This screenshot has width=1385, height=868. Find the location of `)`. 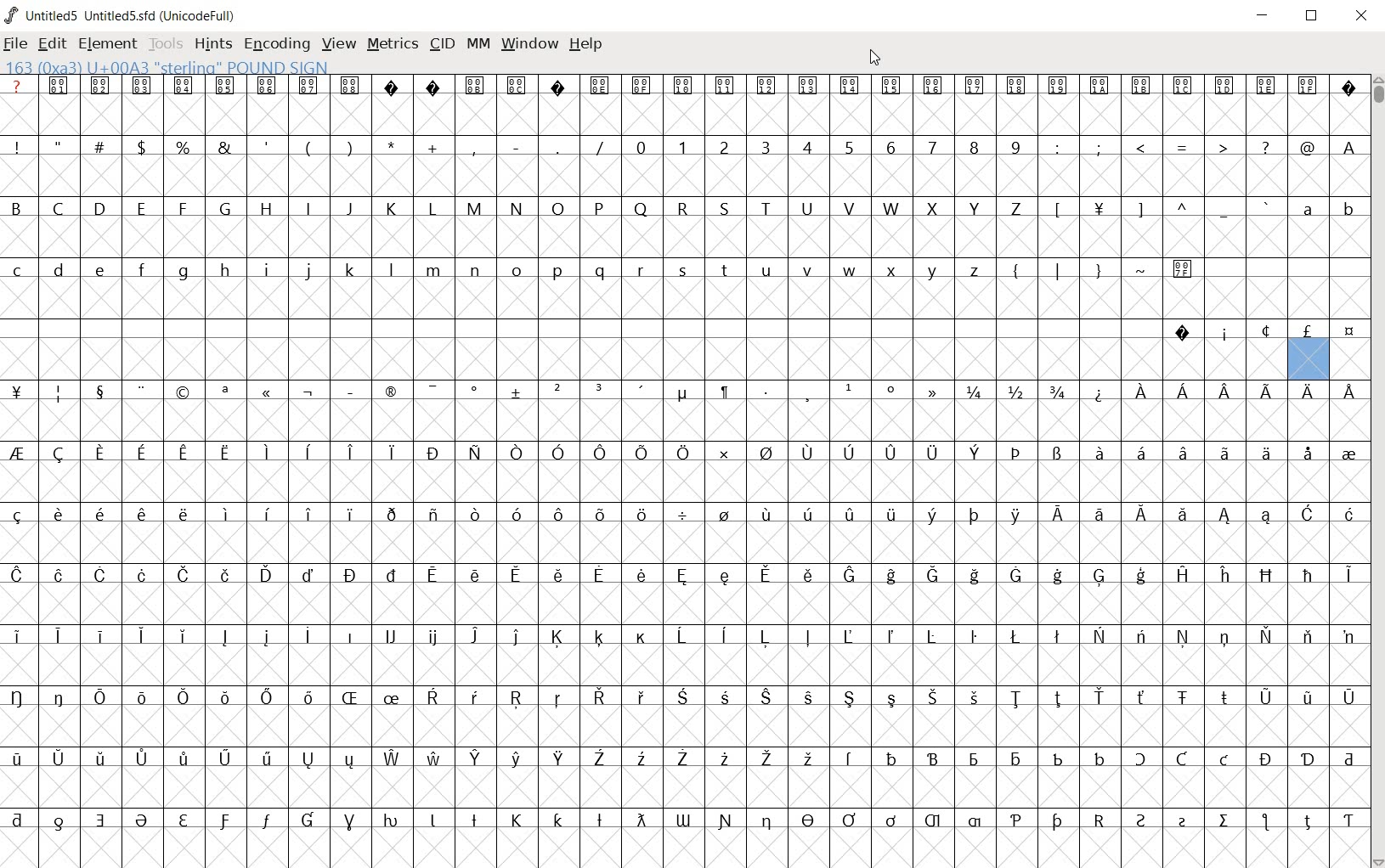

) is located at coordinates (352, 146).